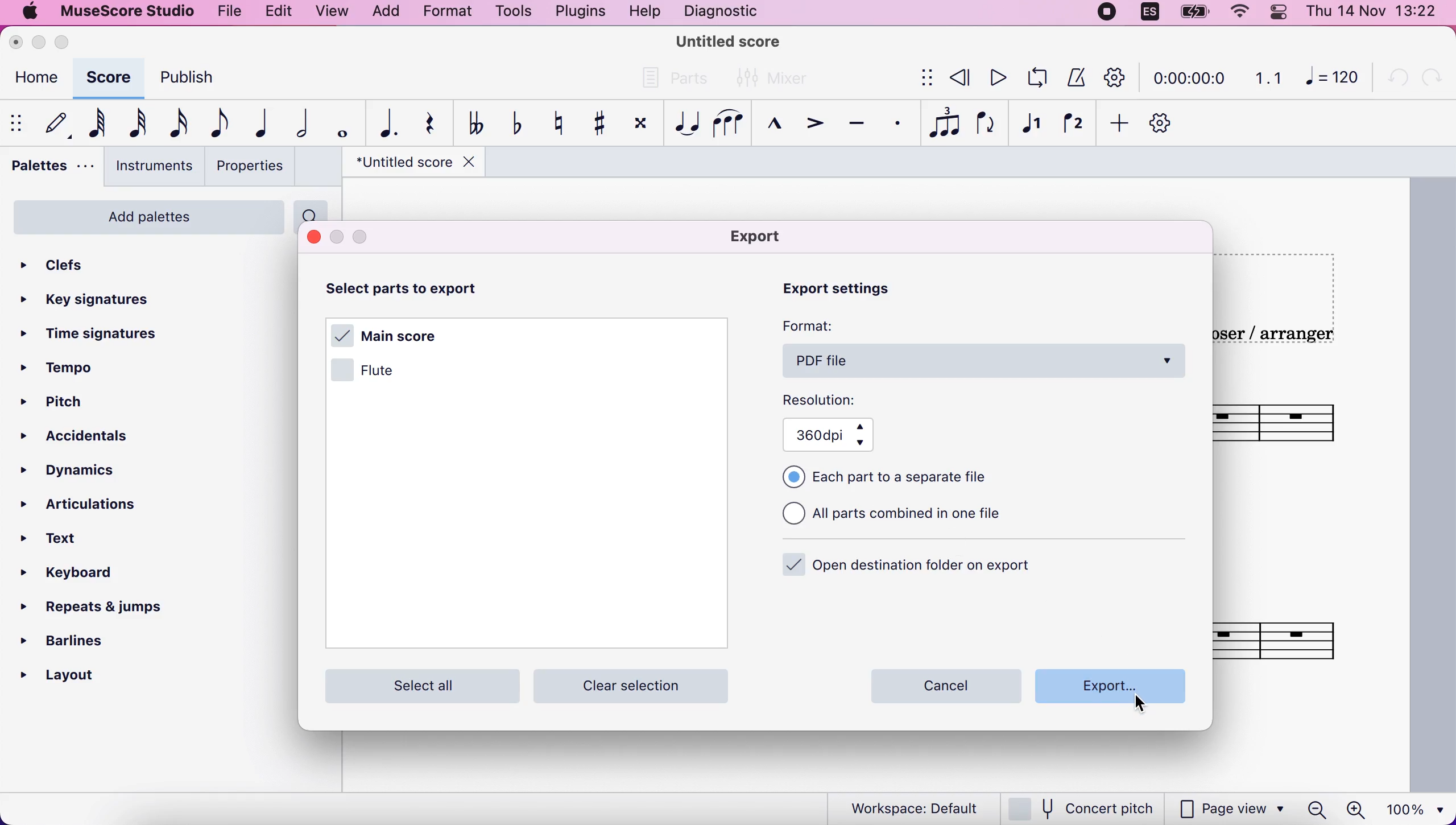 This screenshot has height=825, width=1456. I want to click on half note, so click(300, 124).